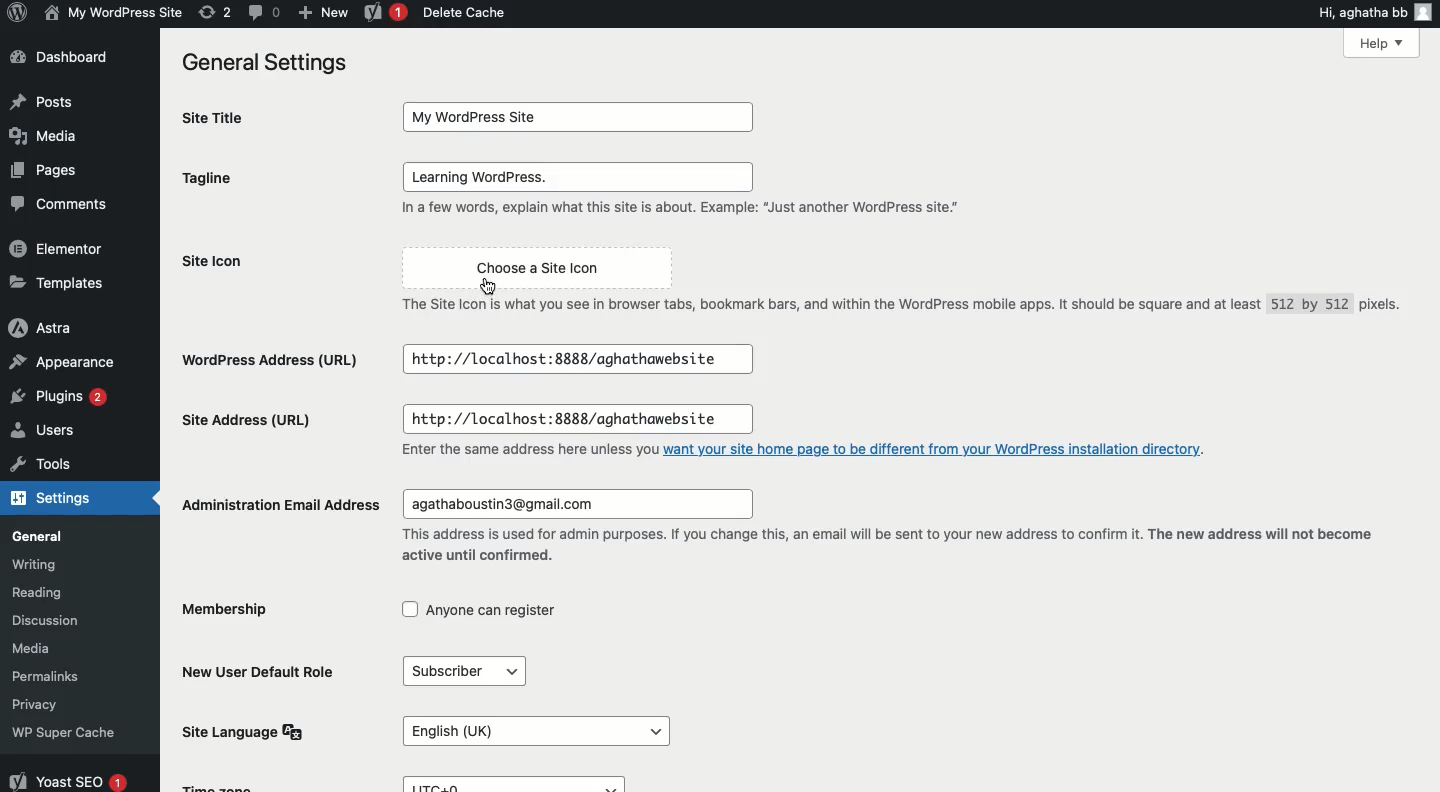  Describe the element at coordinates (1423, 12) in the screenshot. I see `user icon` at that location.